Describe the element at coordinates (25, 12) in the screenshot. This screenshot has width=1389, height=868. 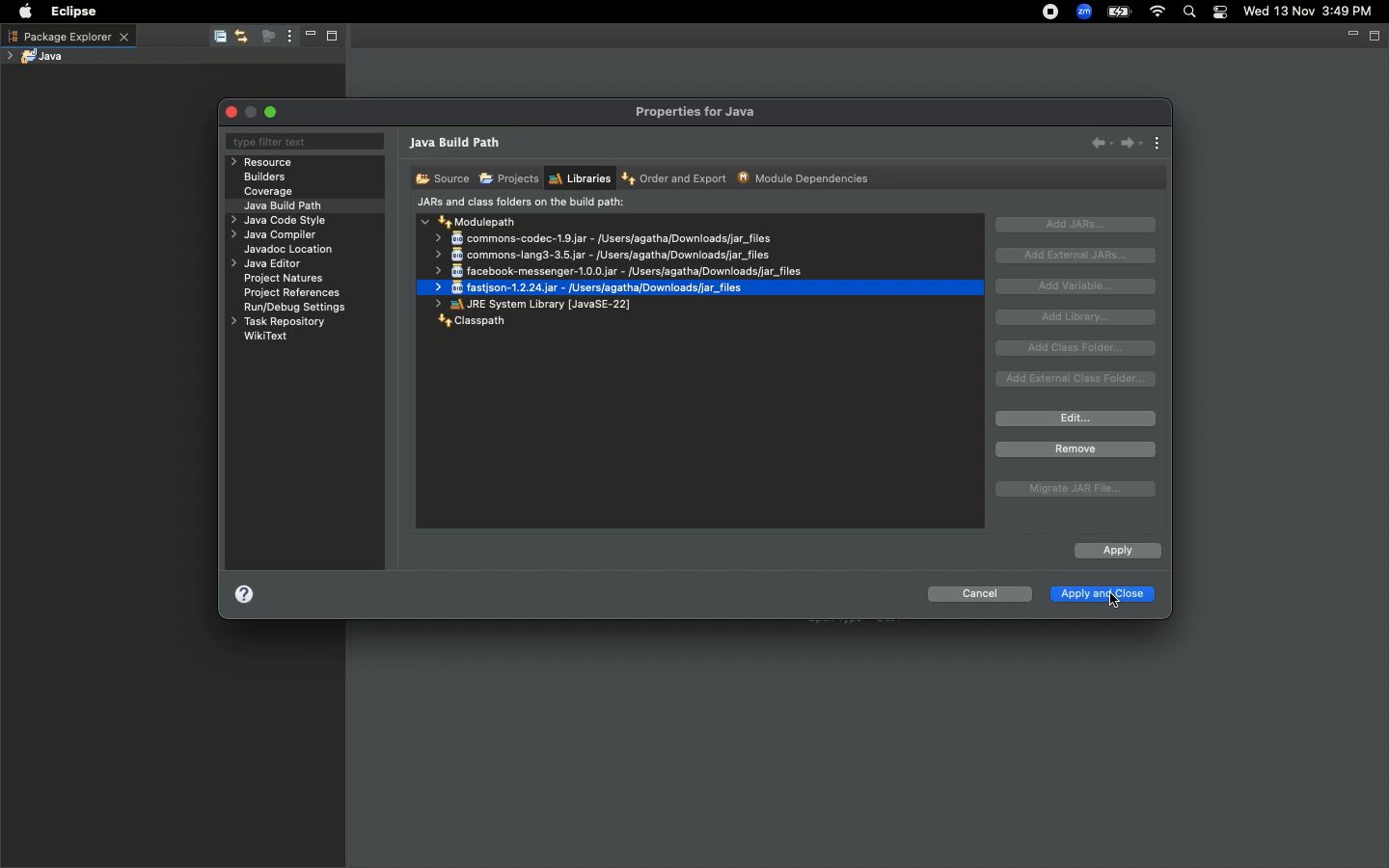
I see `Apple logo` at that location.